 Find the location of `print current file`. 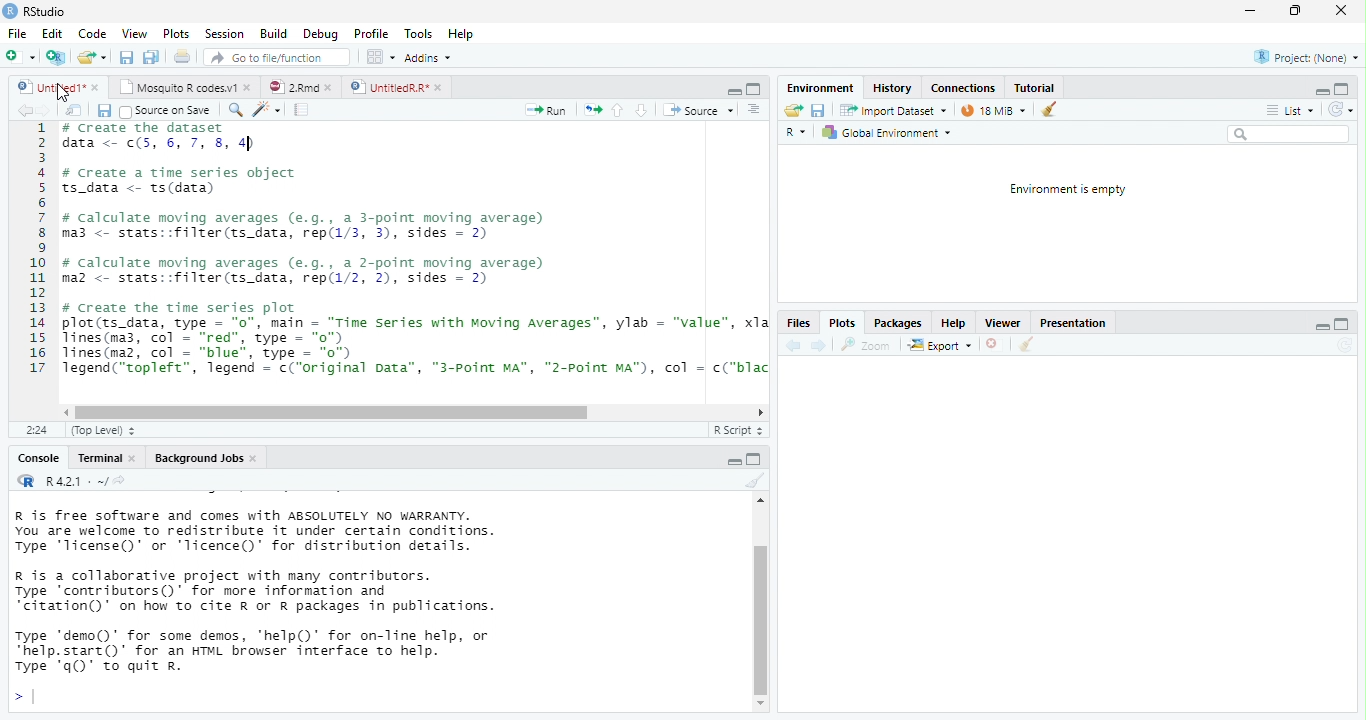

print current file is located at coordinates (183, 56).